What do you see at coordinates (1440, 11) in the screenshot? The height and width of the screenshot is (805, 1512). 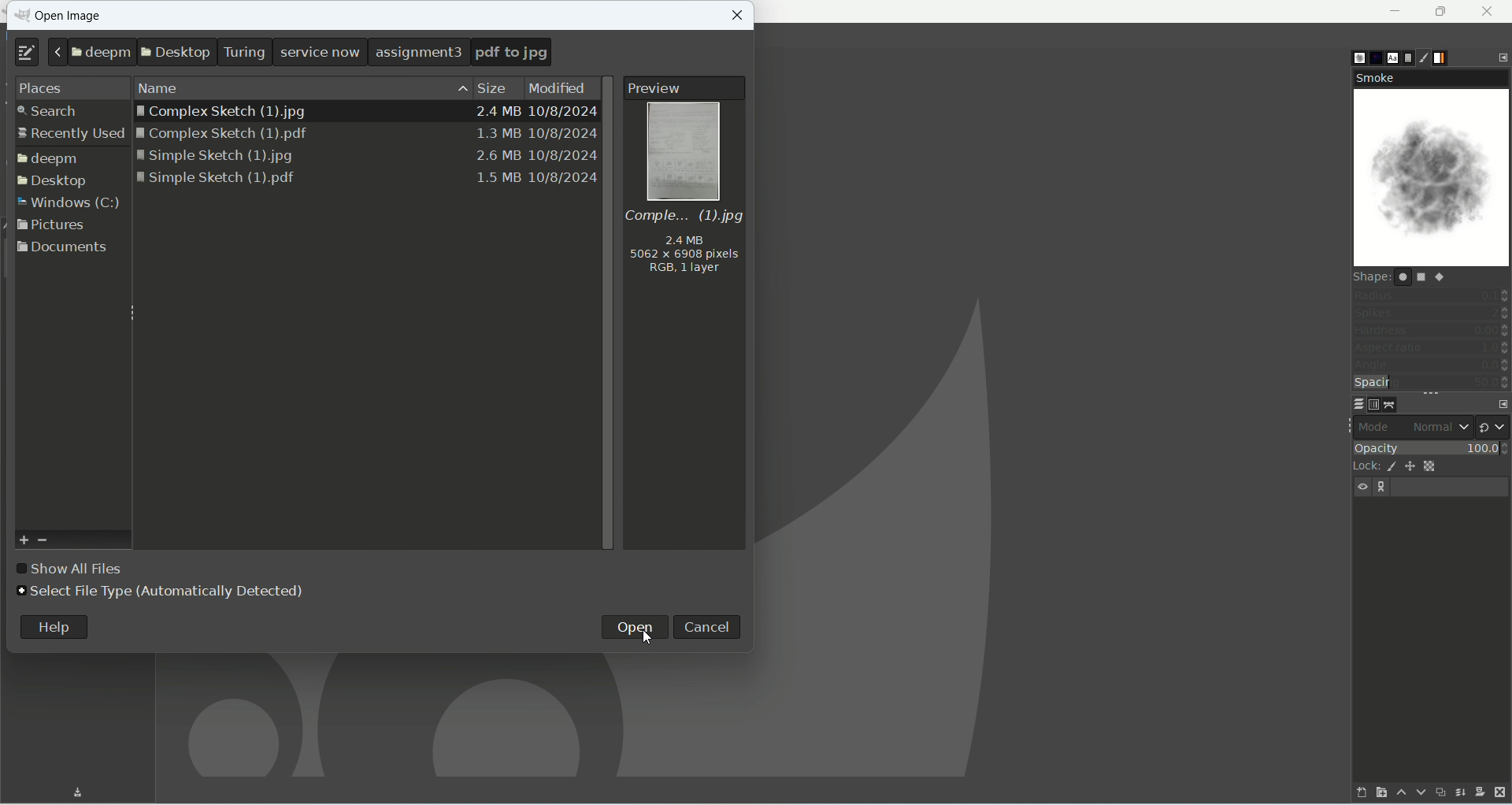 I see `maximize` at bounding box center [1440, 11].